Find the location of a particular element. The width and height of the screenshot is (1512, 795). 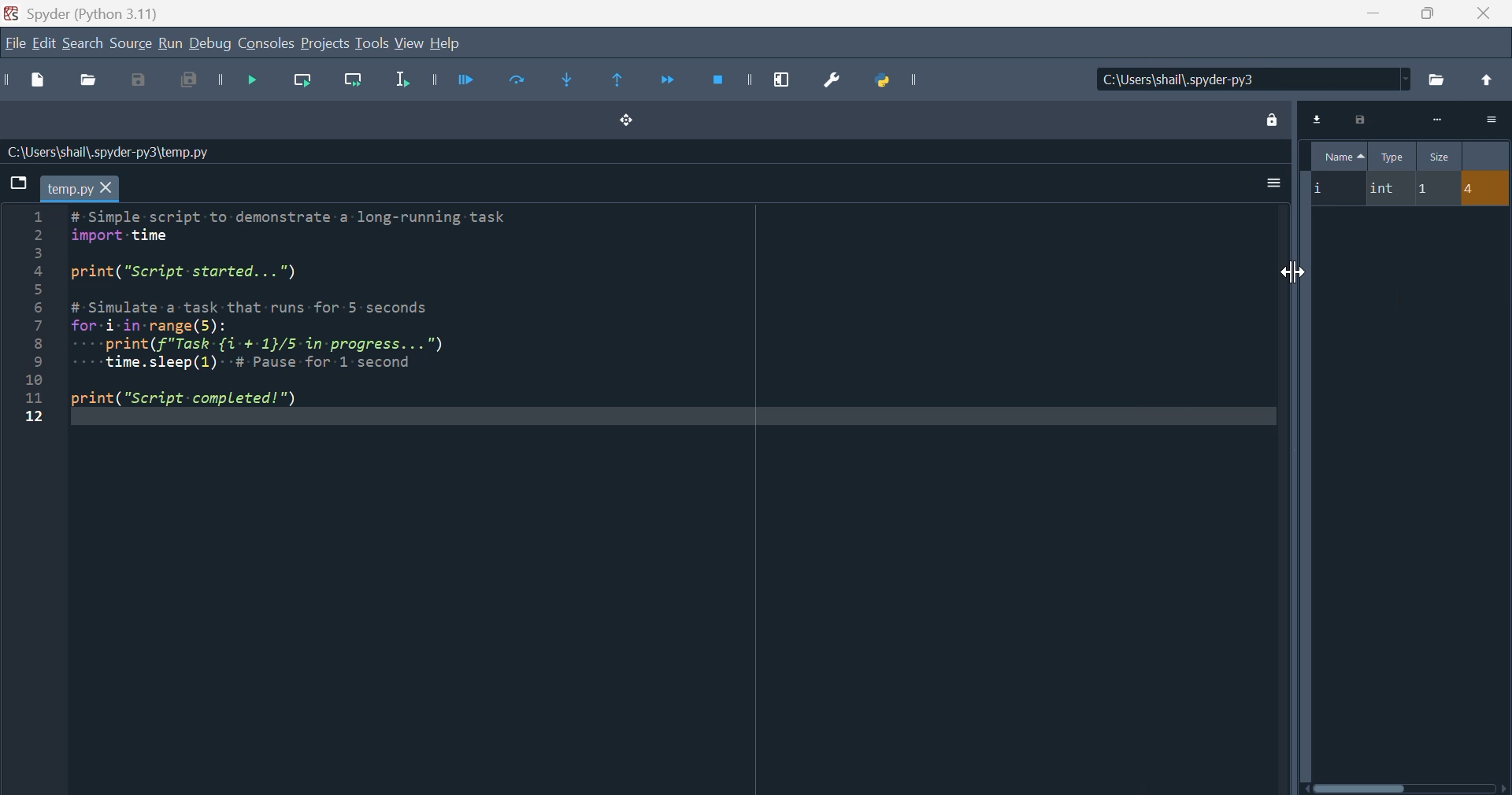

lock is located at coordinates (1268, 119).